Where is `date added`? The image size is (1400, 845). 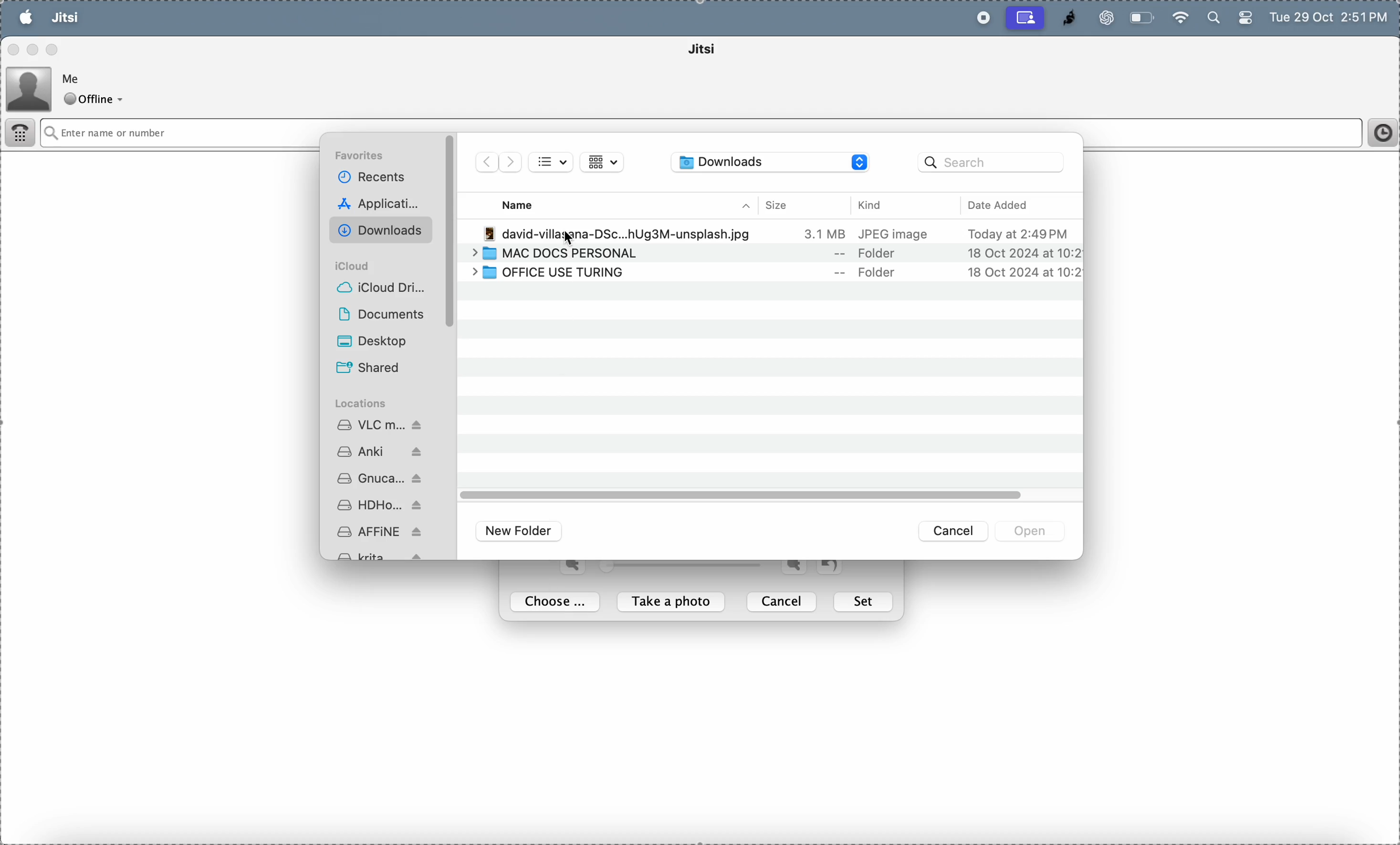 date added is located at coordinates (1018, 205).